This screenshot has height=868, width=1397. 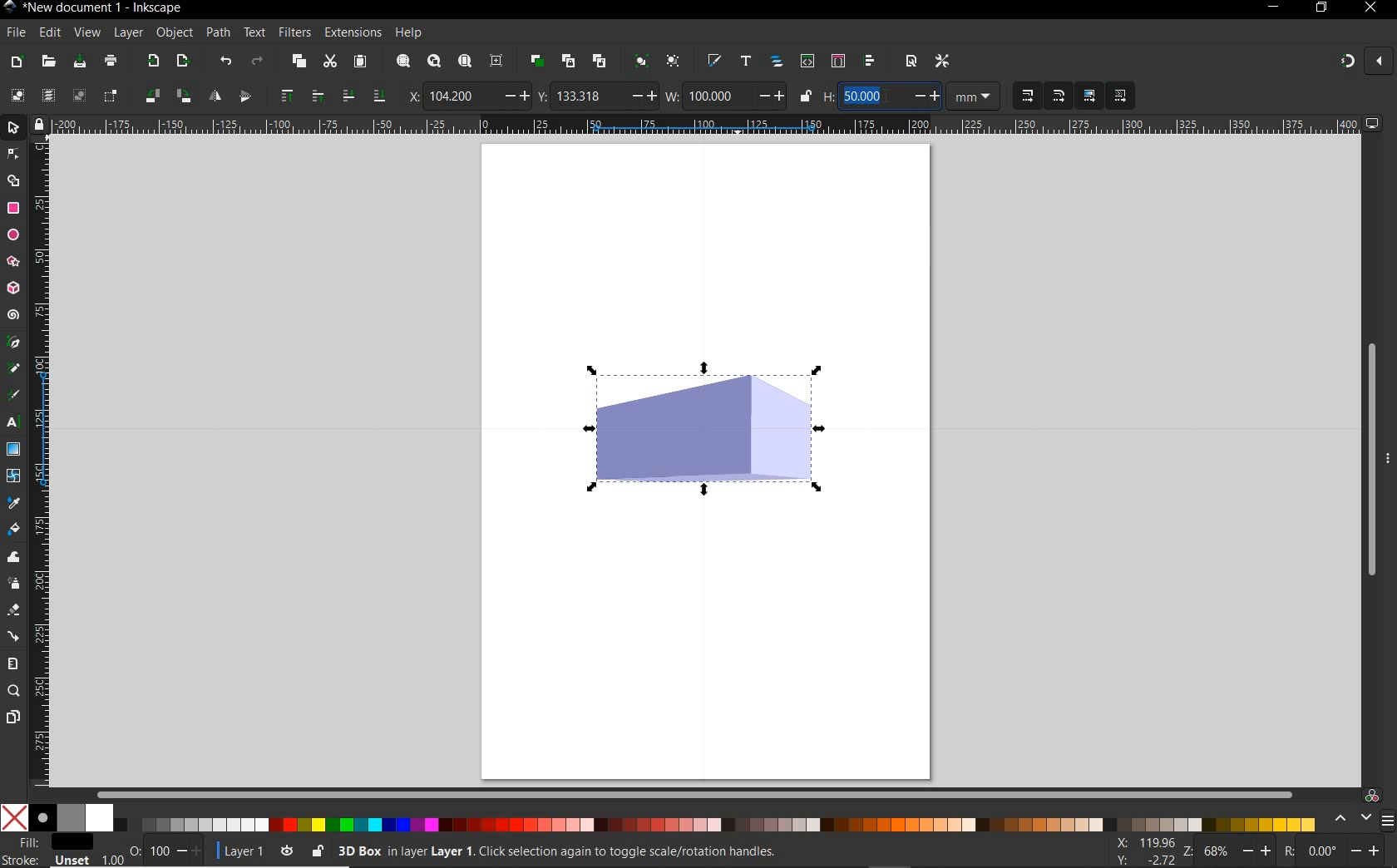 I want to click on color managed code, so click(x=1372, y=796).